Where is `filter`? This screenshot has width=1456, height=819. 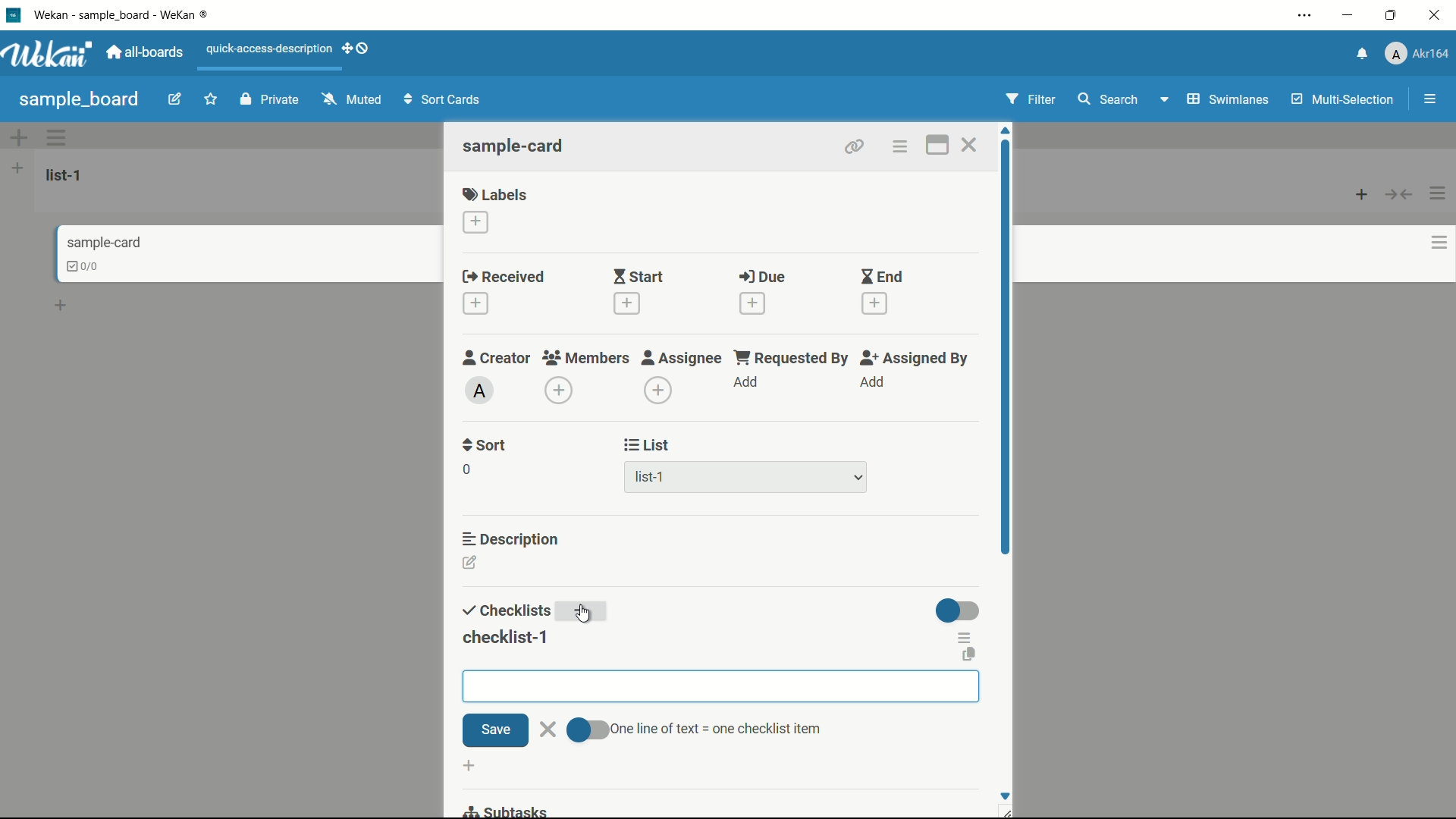
filter is located at coordinates (1031, 100).